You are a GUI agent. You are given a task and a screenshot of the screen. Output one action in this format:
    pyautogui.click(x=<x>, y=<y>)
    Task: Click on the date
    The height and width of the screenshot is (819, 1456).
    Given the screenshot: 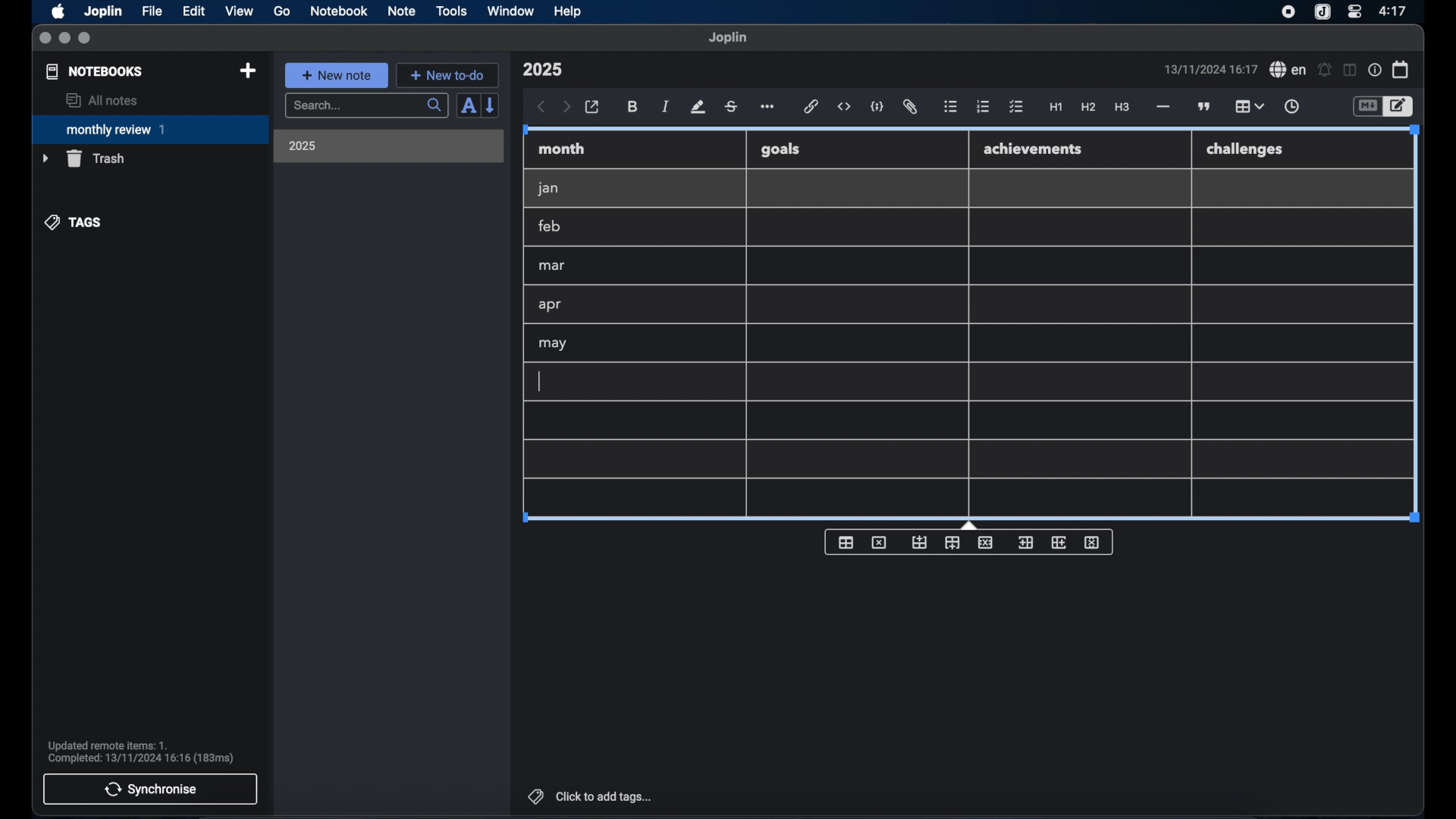 What is the action you would take?
    pyautogui.click(x=1210, y=69)
    